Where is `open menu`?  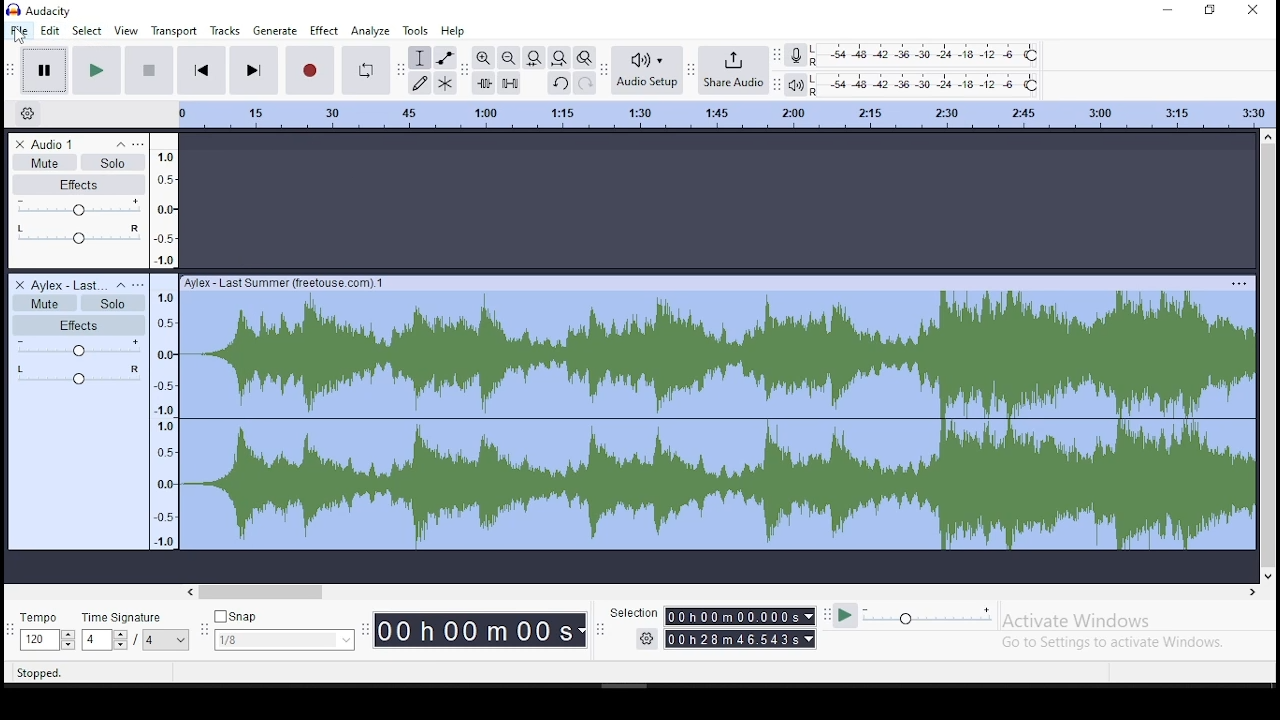
open menu is located at coordinates (140, 144).